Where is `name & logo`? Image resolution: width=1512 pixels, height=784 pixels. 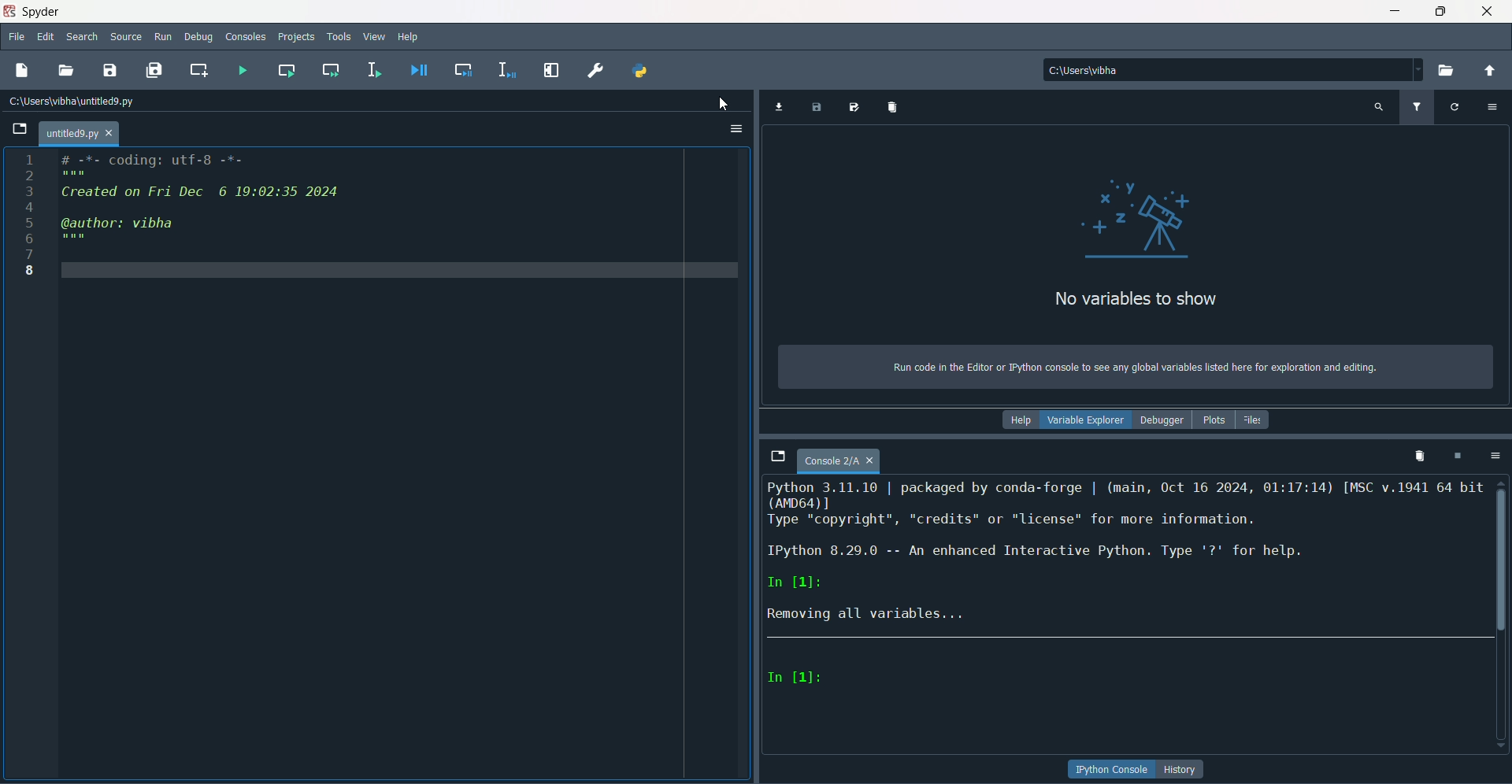 name & logo is located at coordinates (33, 11).